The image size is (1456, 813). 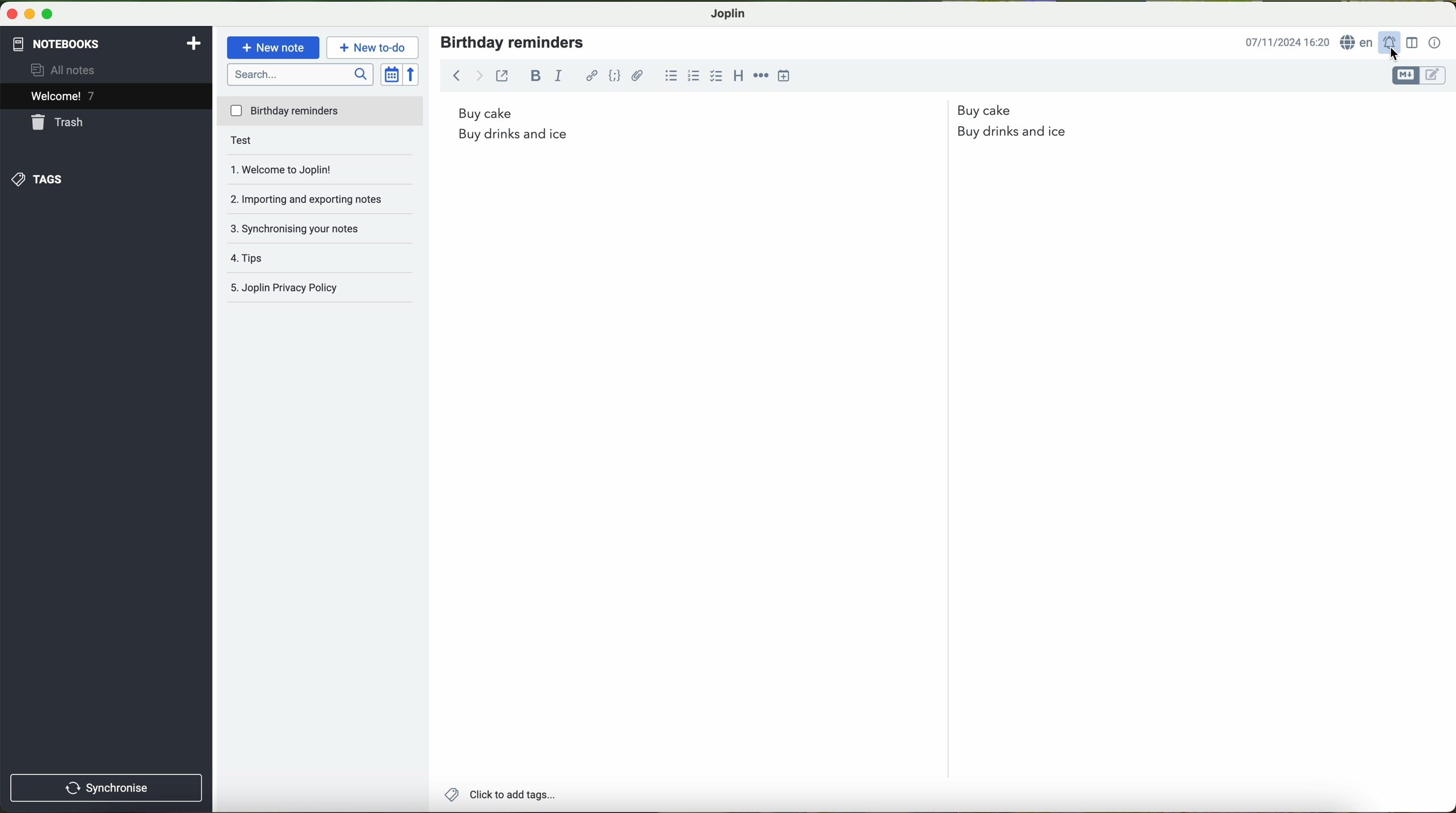 I want to click on importing and exporting notes, so click(x=312, y=196).